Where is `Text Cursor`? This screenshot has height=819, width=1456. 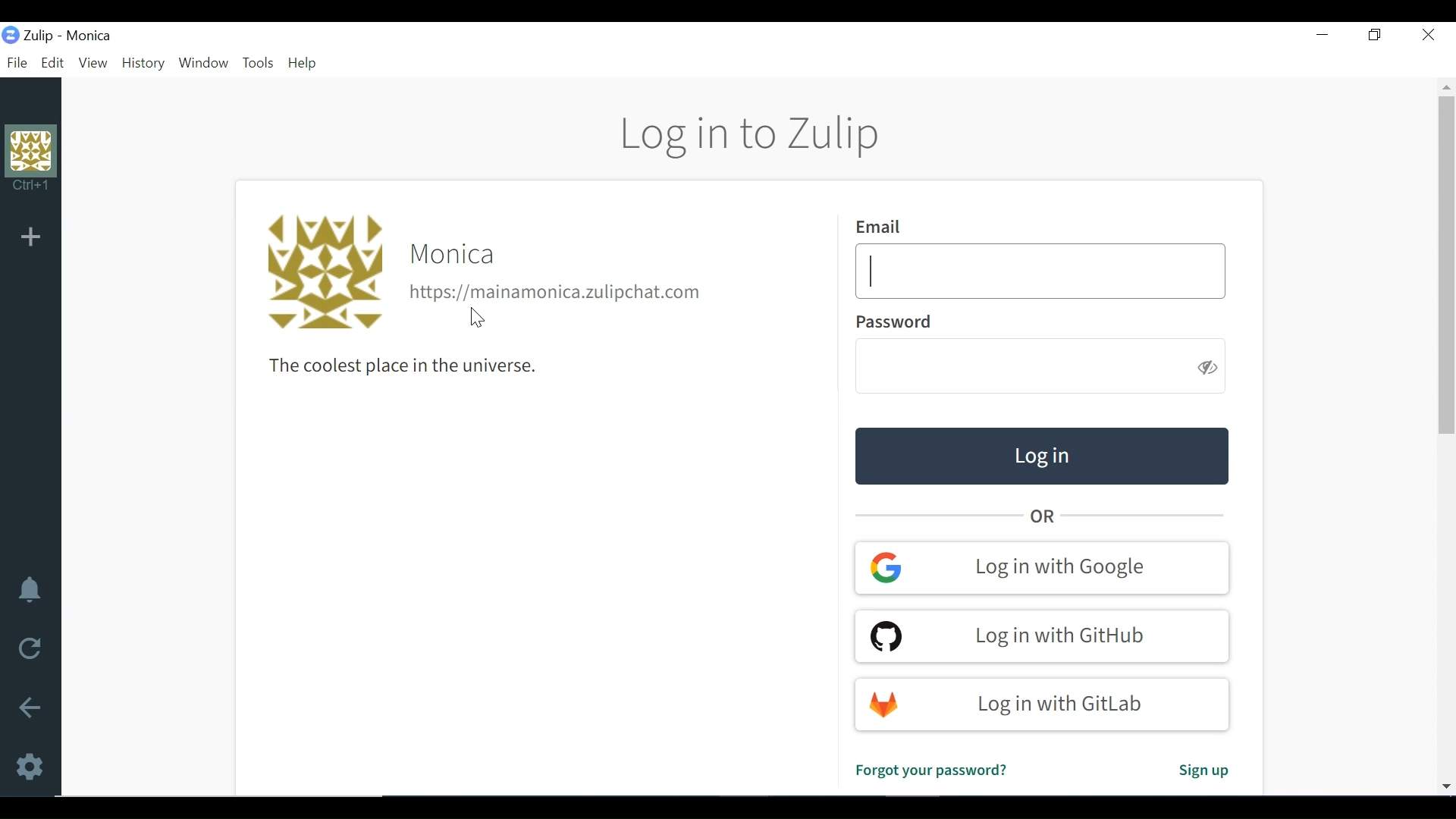 Text Cursor is located at coordinates (876, 272).